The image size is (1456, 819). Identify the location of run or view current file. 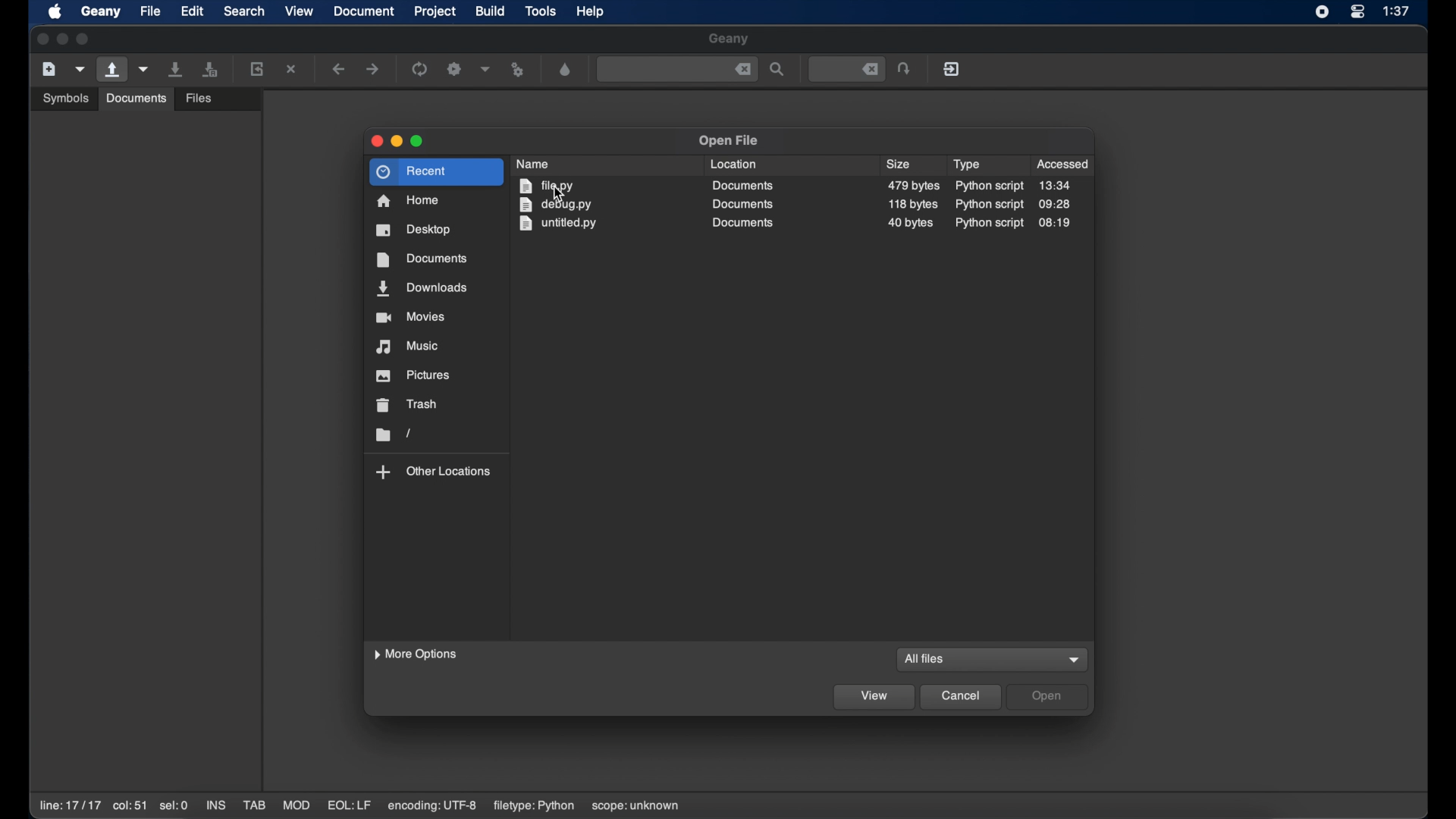
(519, 69).